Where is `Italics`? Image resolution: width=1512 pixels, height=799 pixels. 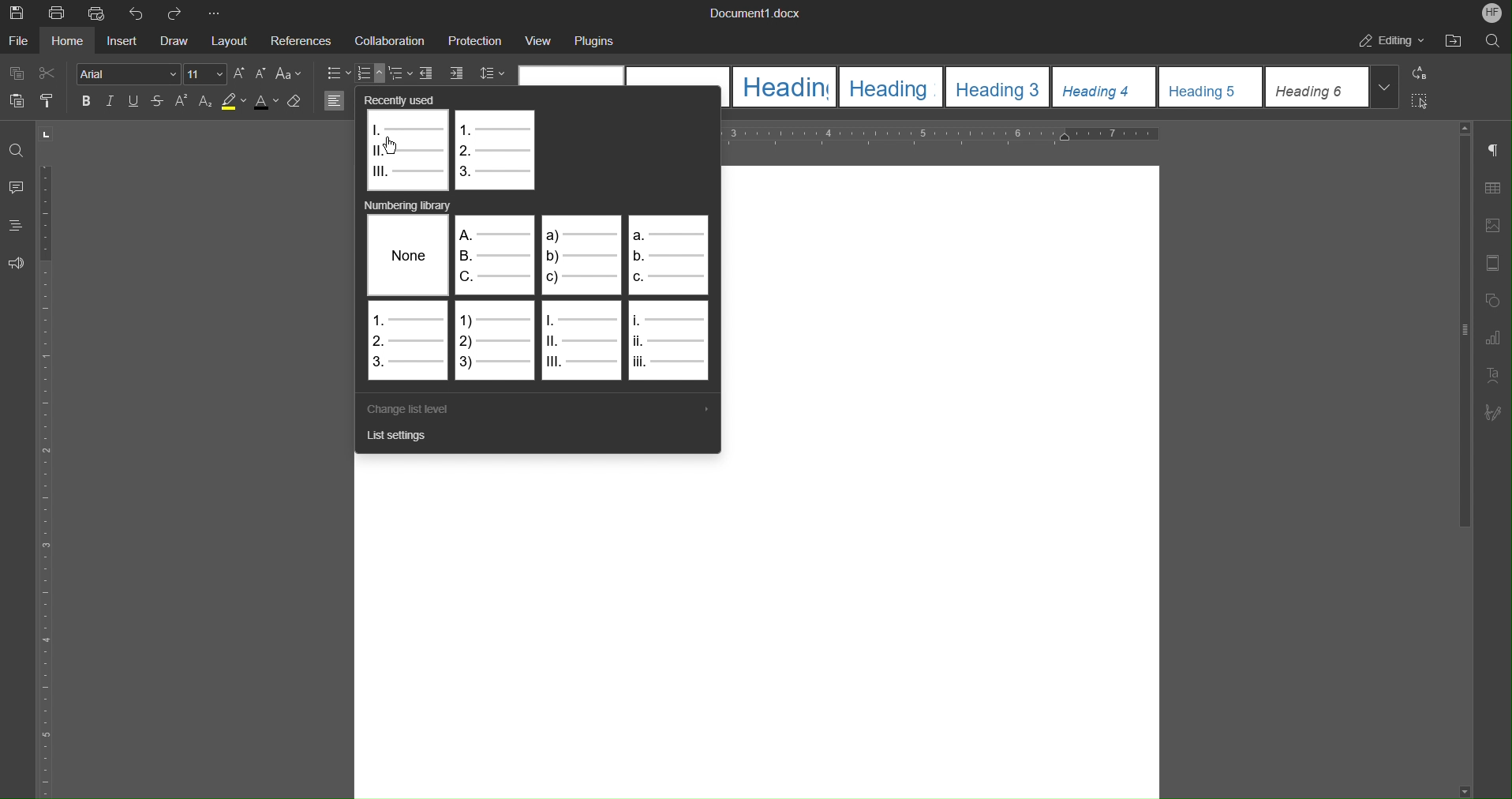 Italics is located at coordinates (110, 101).